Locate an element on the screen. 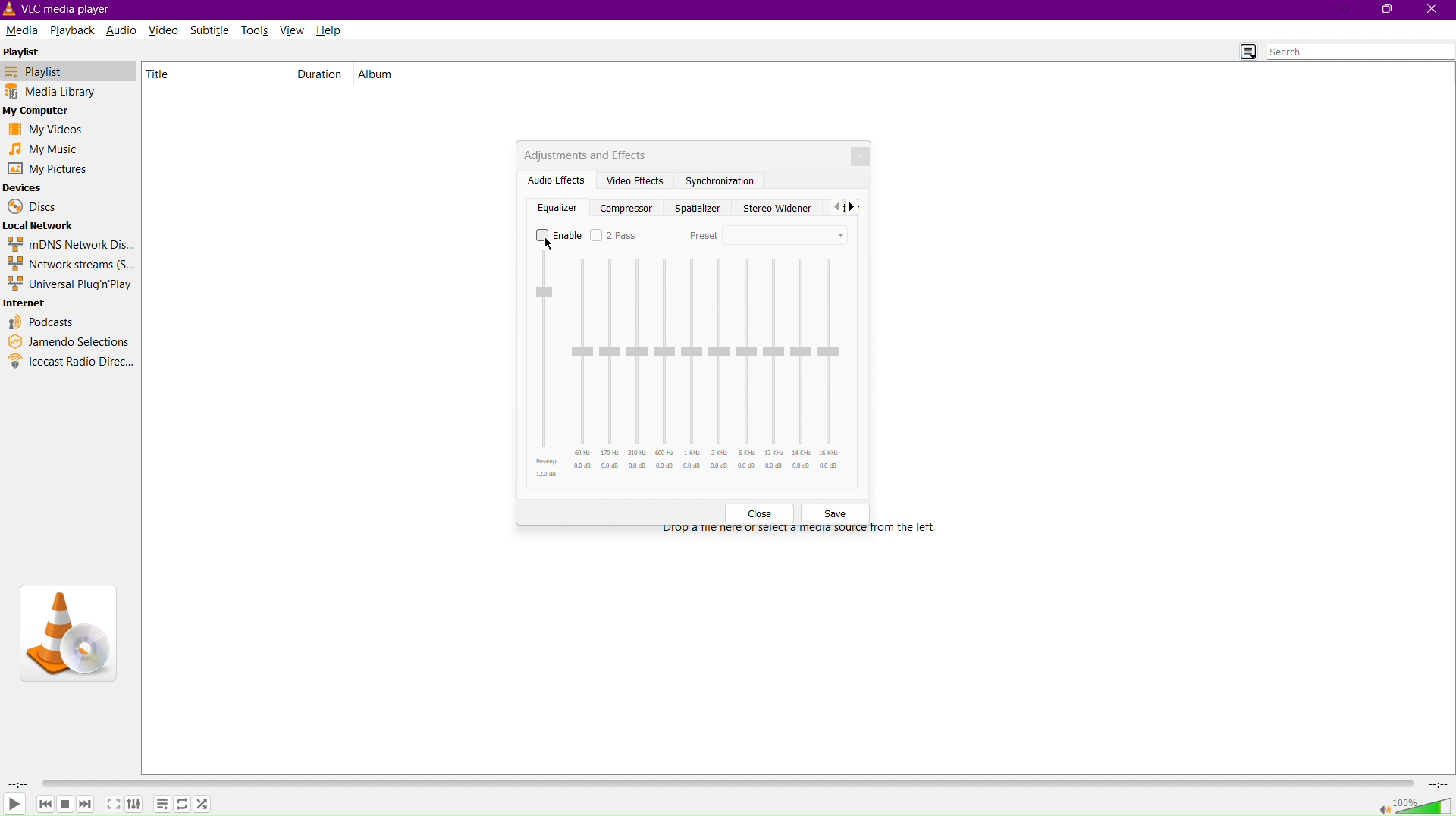 This screenshot has height=816, width=1456. Repeat is located at coordinates (182, 804).